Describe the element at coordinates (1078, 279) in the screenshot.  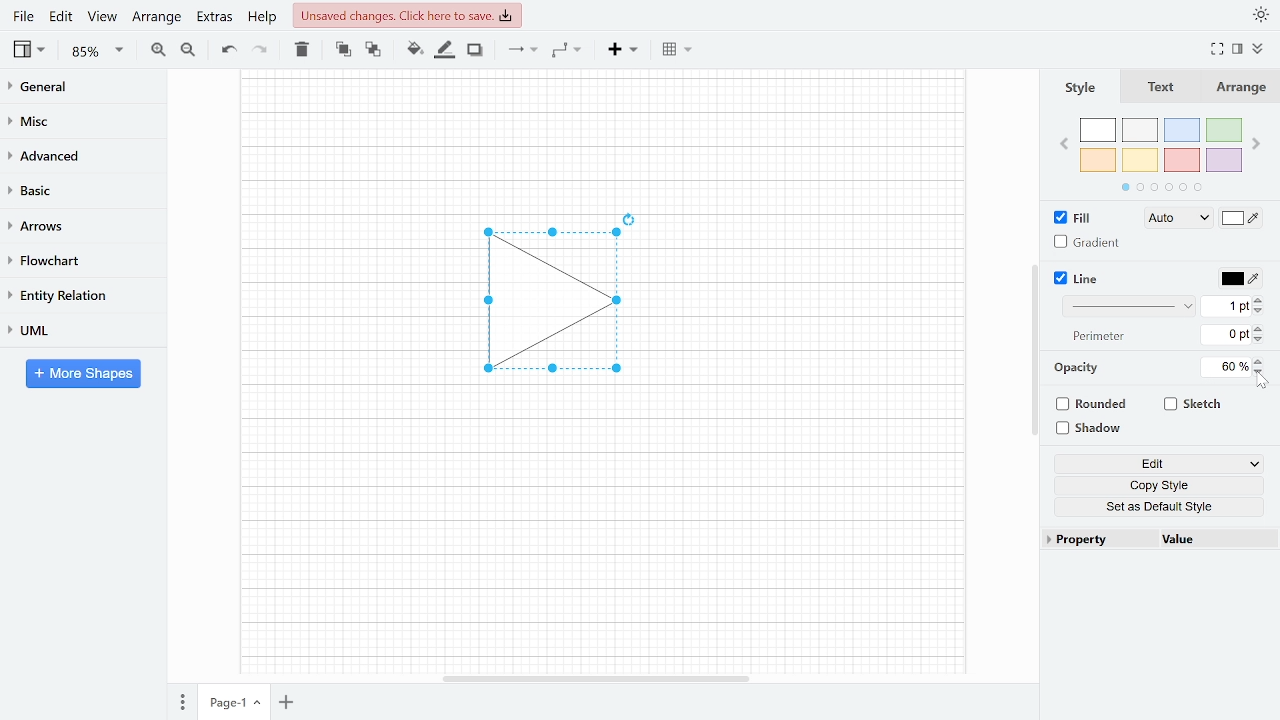
I see `Line` at that location.